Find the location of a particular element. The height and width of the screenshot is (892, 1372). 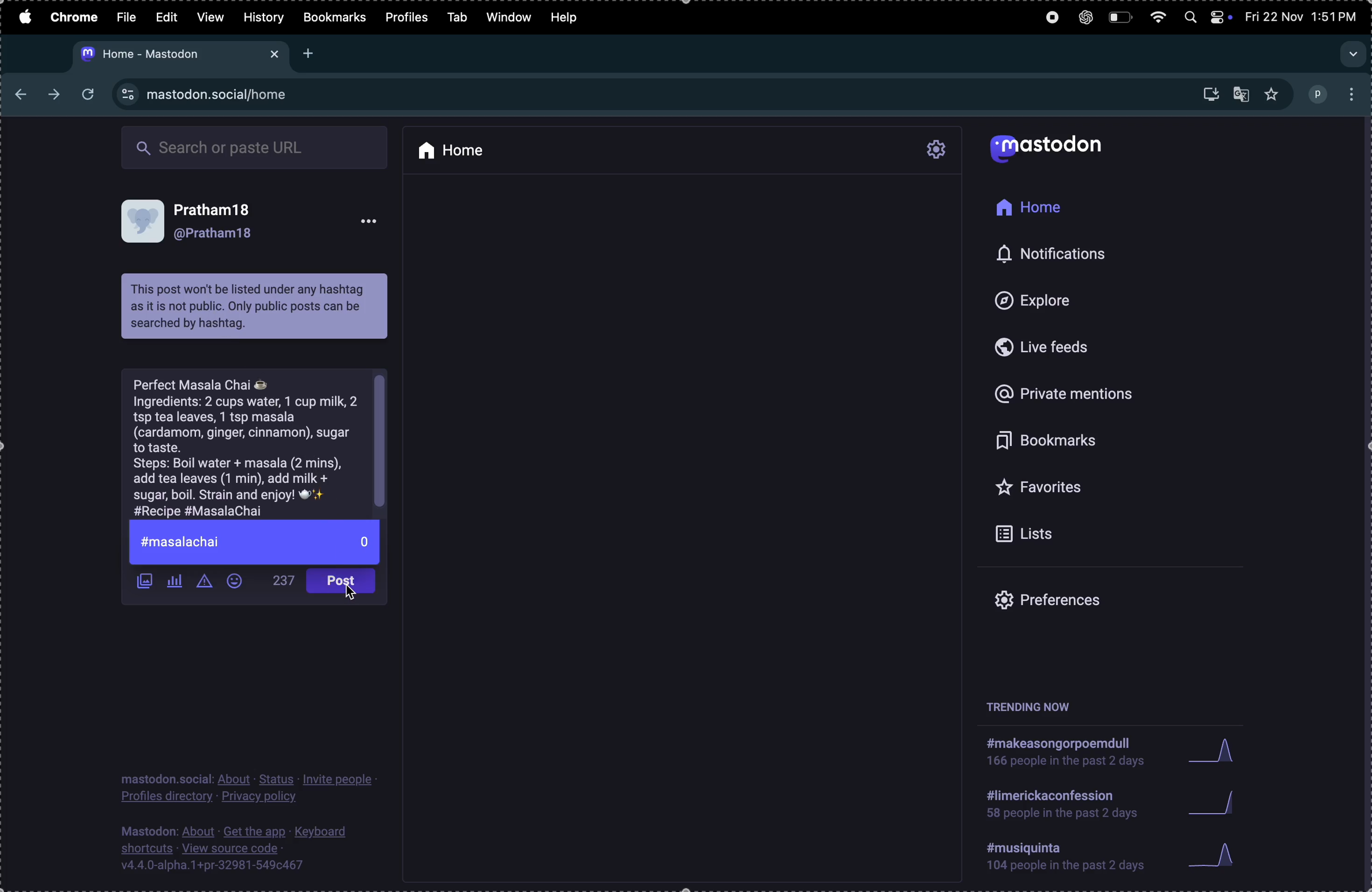

disclaimer is located at coordinates (257, 307).